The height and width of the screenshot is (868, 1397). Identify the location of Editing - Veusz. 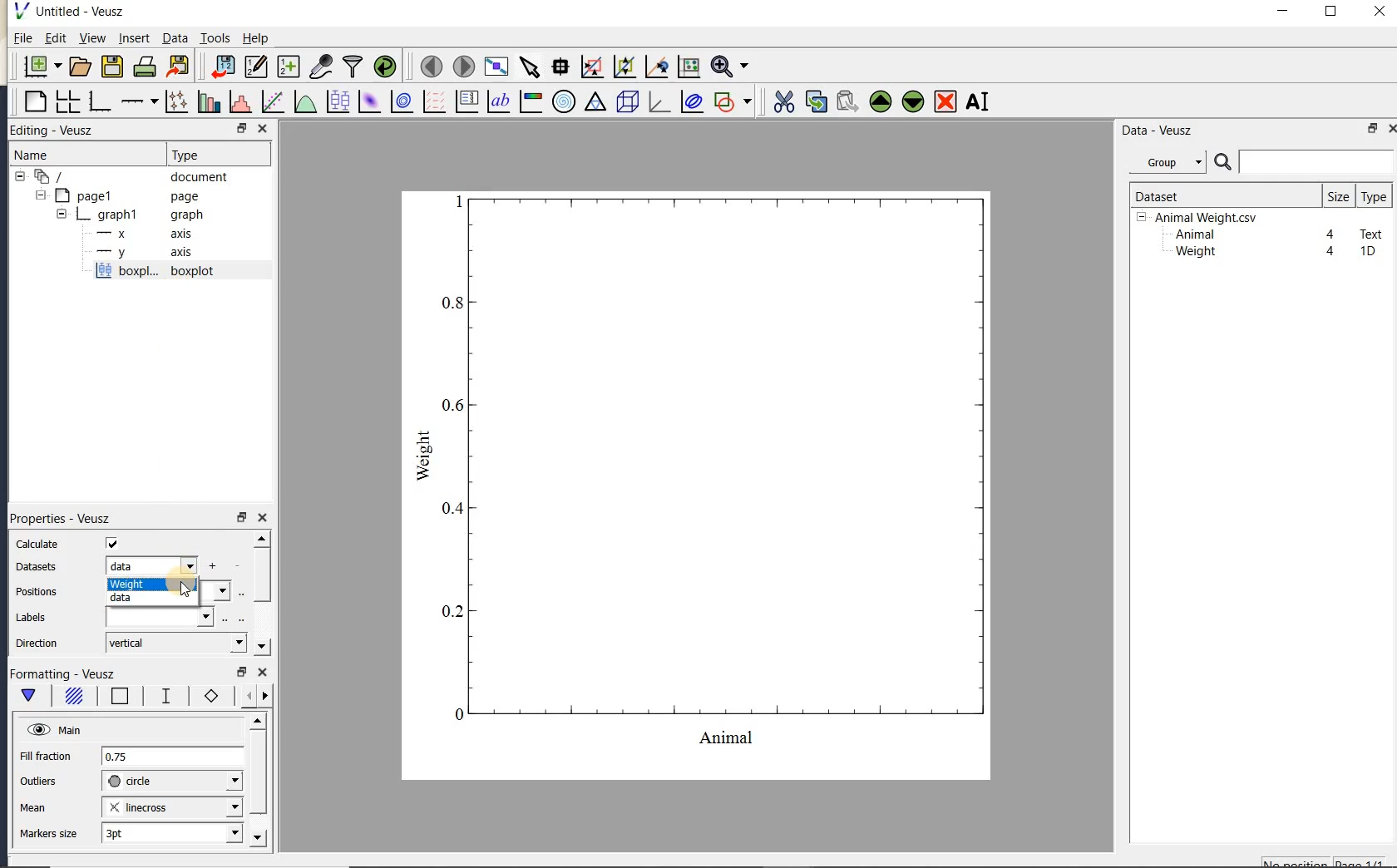
(61, 131).